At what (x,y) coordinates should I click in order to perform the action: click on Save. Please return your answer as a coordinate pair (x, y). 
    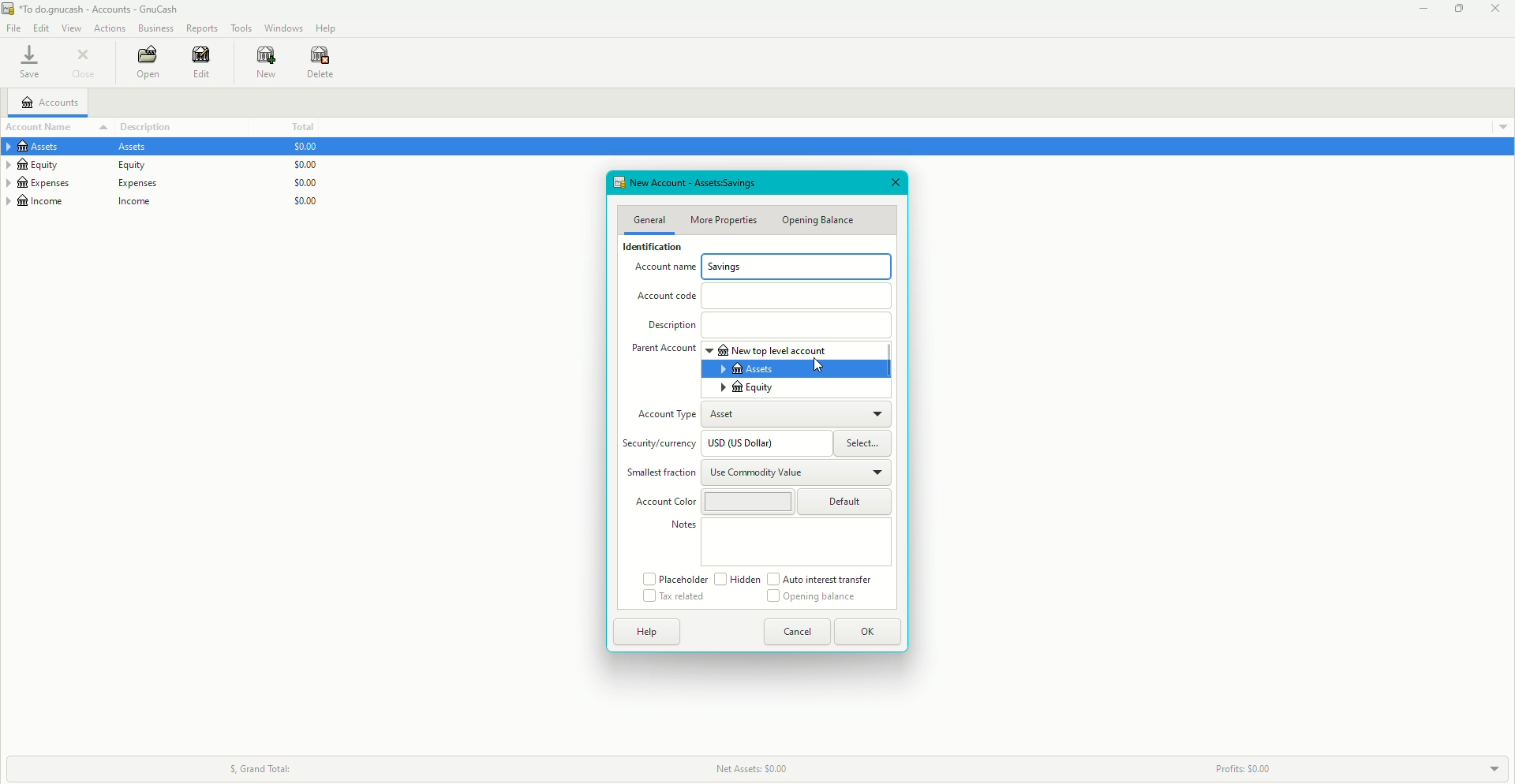
    Looking at the image, I should click on (28, 63).